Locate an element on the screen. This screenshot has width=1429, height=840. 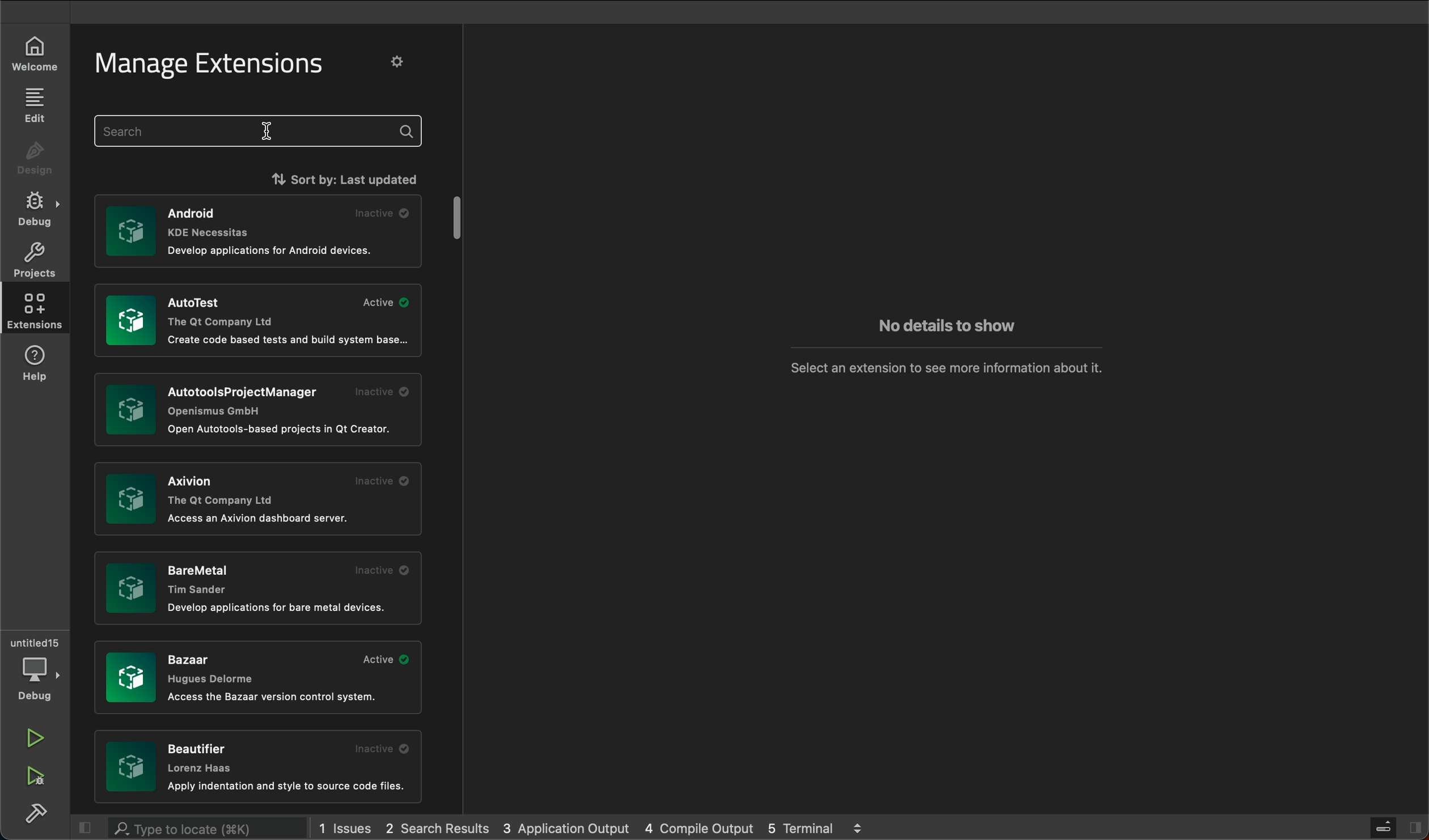
inactive is located at coordinates (383, 392).